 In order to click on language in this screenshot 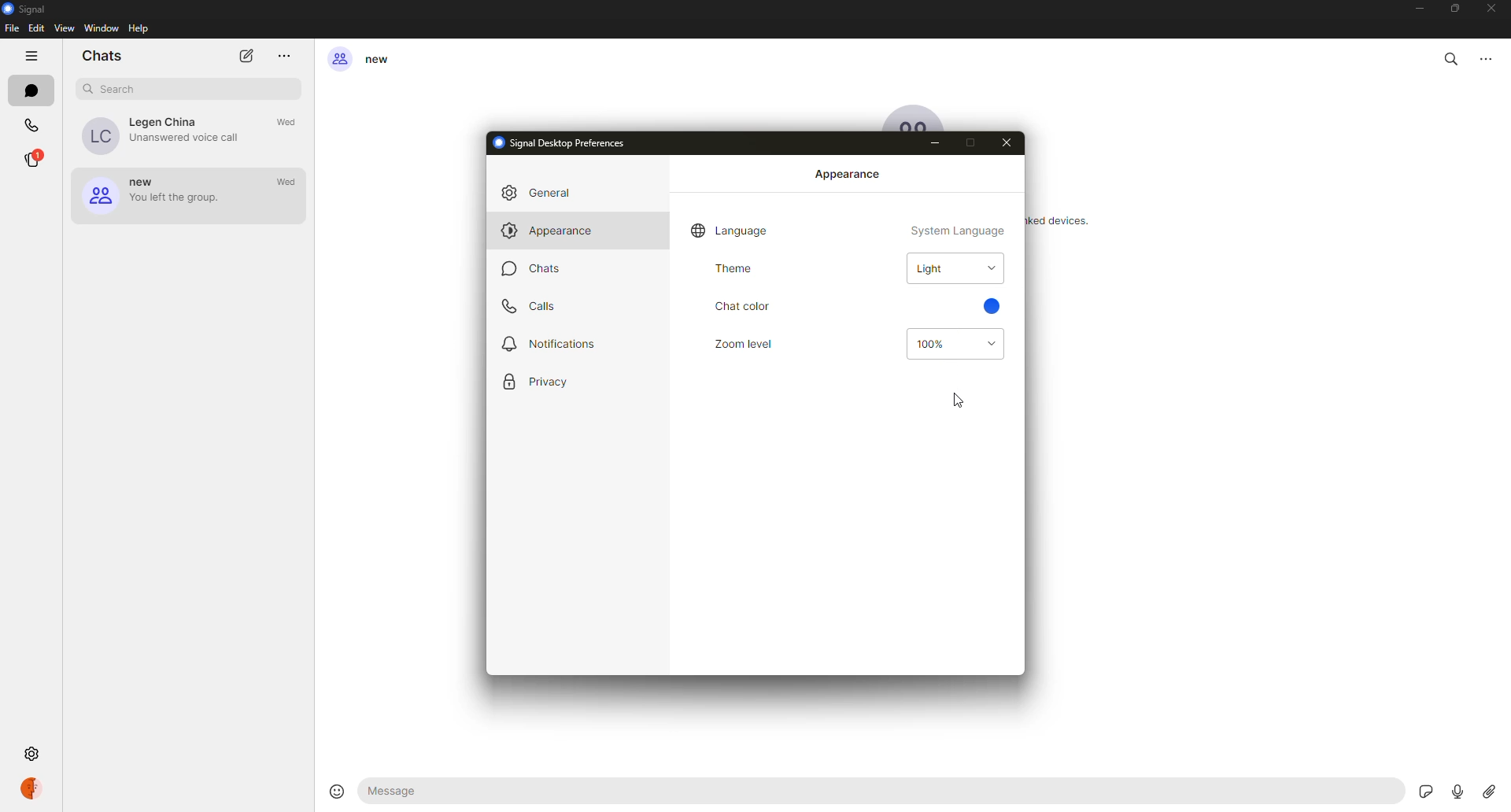, I will do `click(732, 231)`.